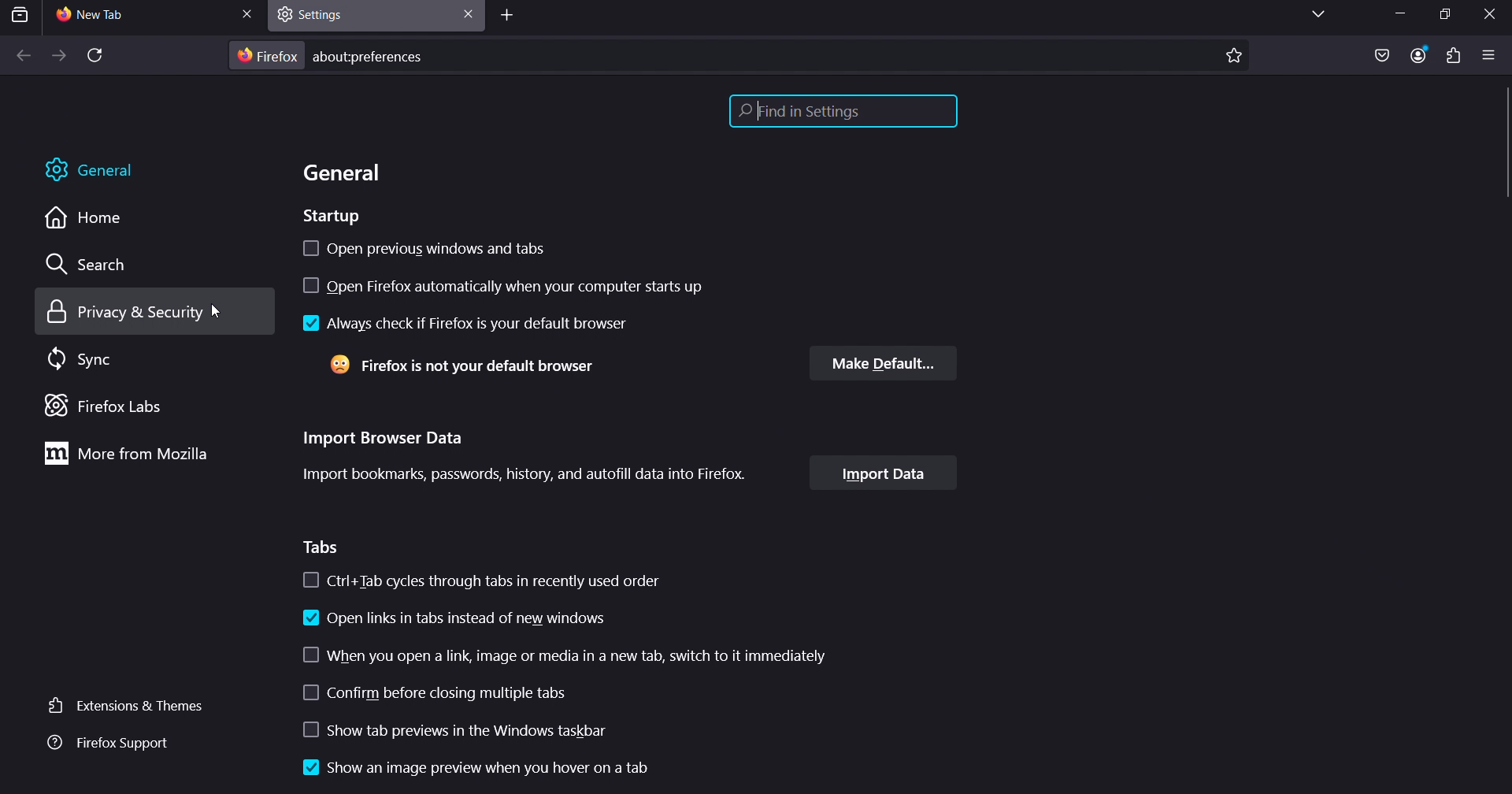 This screenshot has width=1512, height=794. Describe the element at coordinates (322, 13) in the screenshot. I see `settings` at that location.